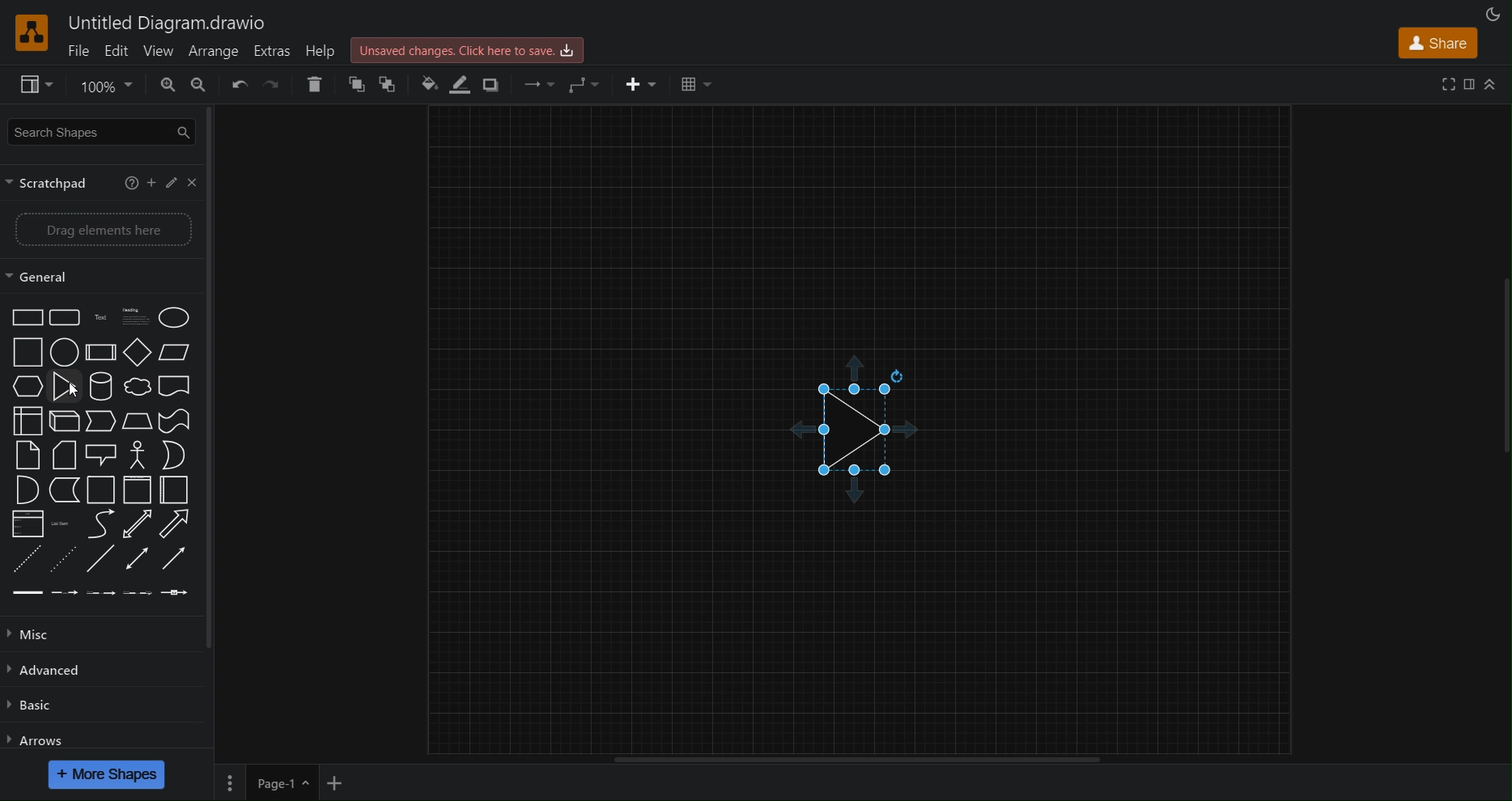 The height and width of the screenshot is (801, 1512). What do you see at coordinates (491, 85) in the screenshot?
I see `Shadow` at bounding box center [491, 85].